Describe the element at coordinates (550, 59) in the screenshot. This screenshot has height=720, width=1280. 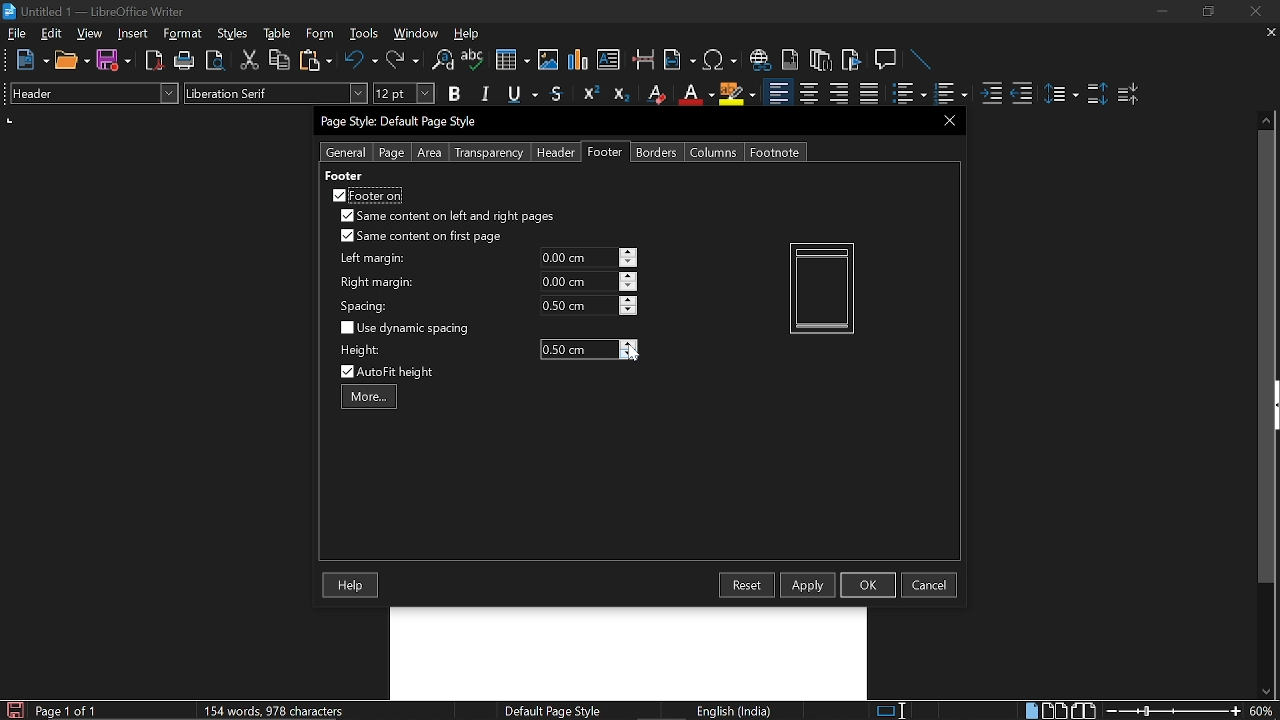
I see `Insert image` at that location.